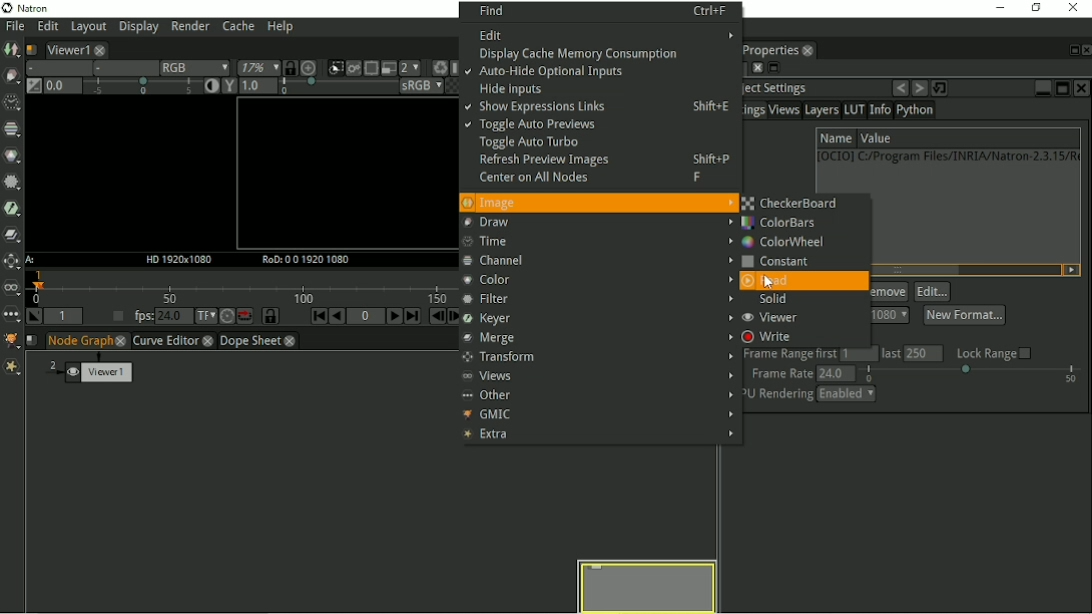 The height and width of the screenshot is (614, 1092). I want to click on A, so click(31, 260).